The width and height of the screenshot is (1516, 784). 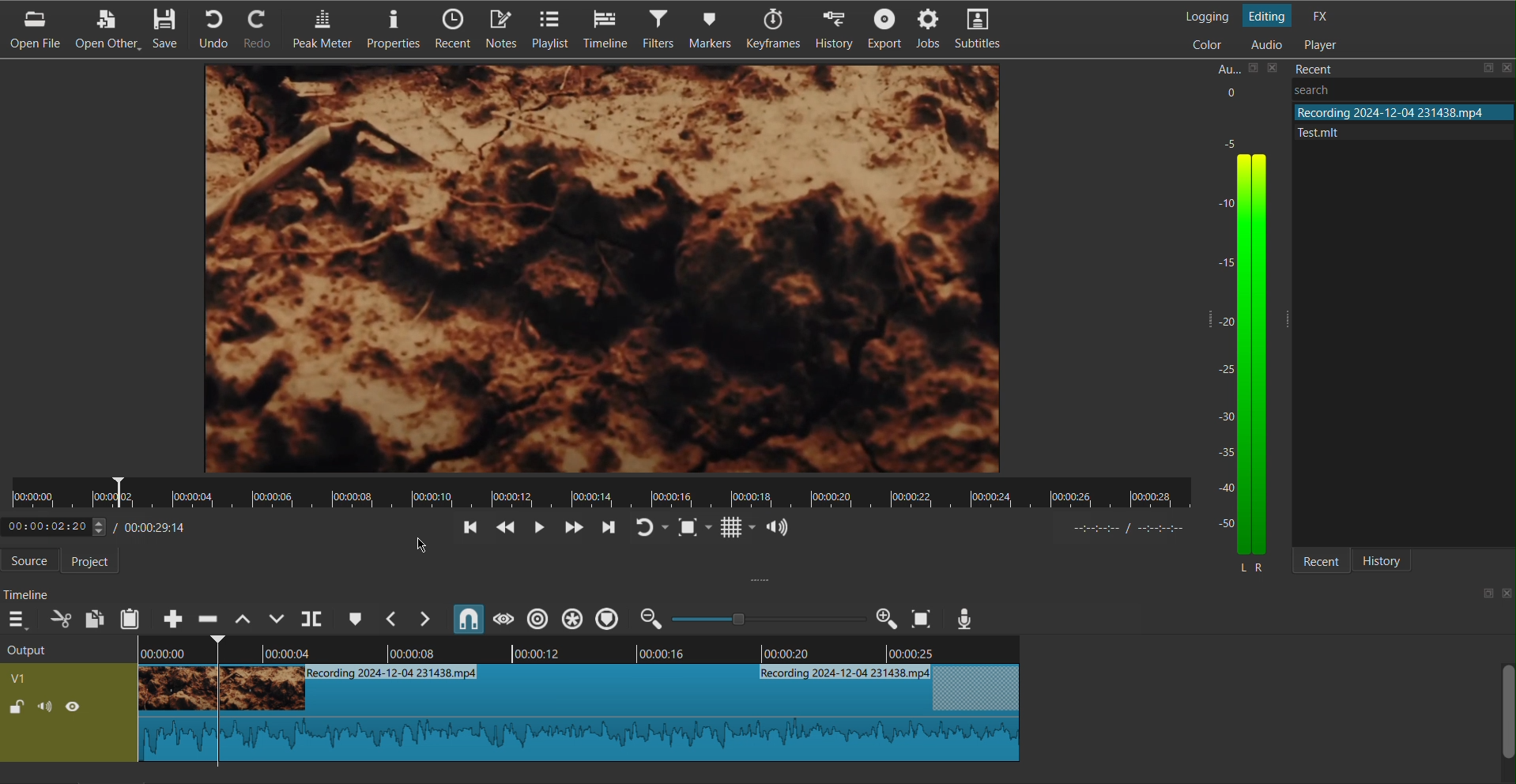 What do you see at coordinates (60, 619) in the screenshot?
I see `Cut` at bounding box center [60, 619].